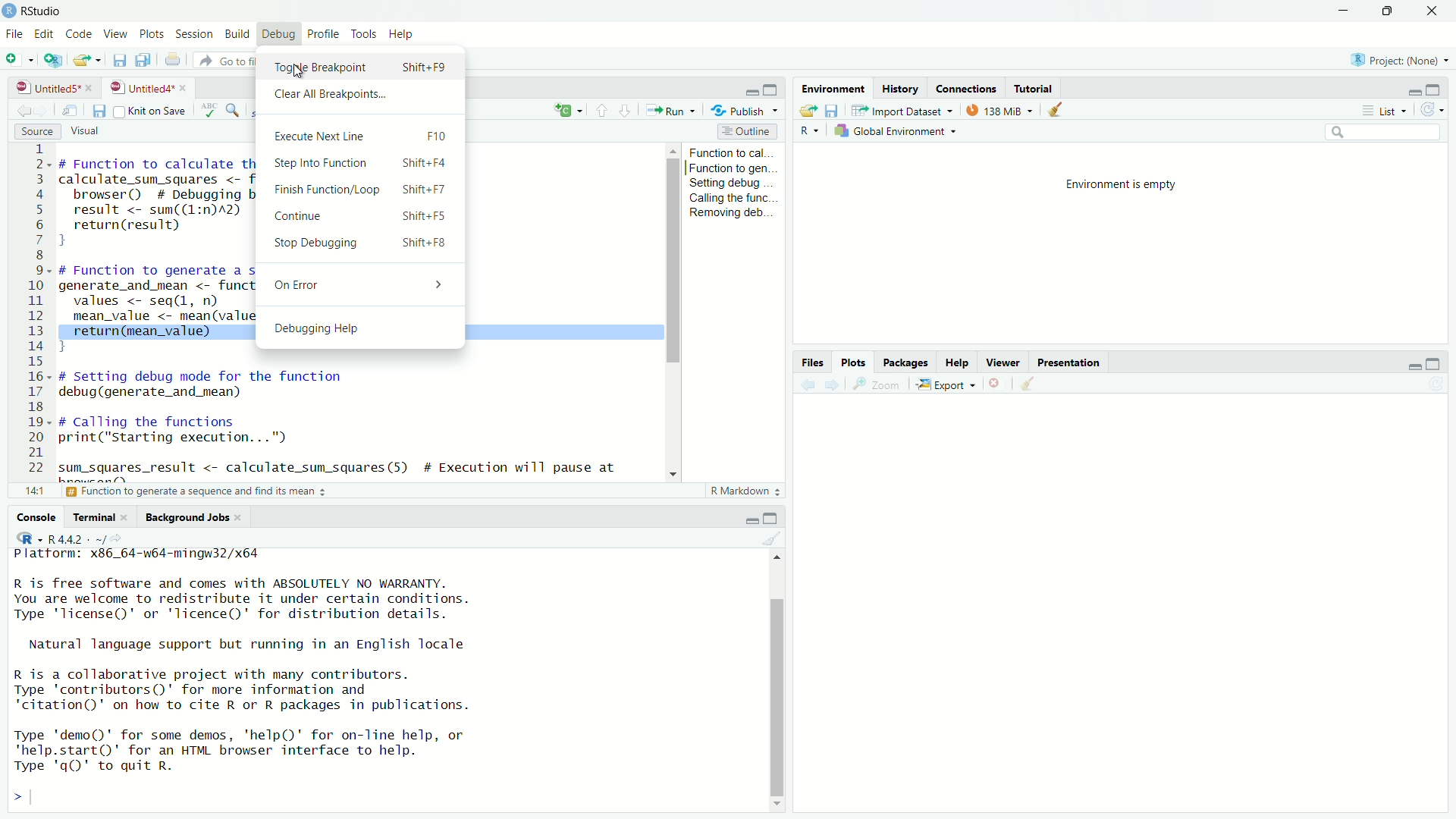 The image size is (1456, 819). What do you see at coordinates (42, 86) in the screenshot?
I see `untitled5` at bounding box center [42, 86].